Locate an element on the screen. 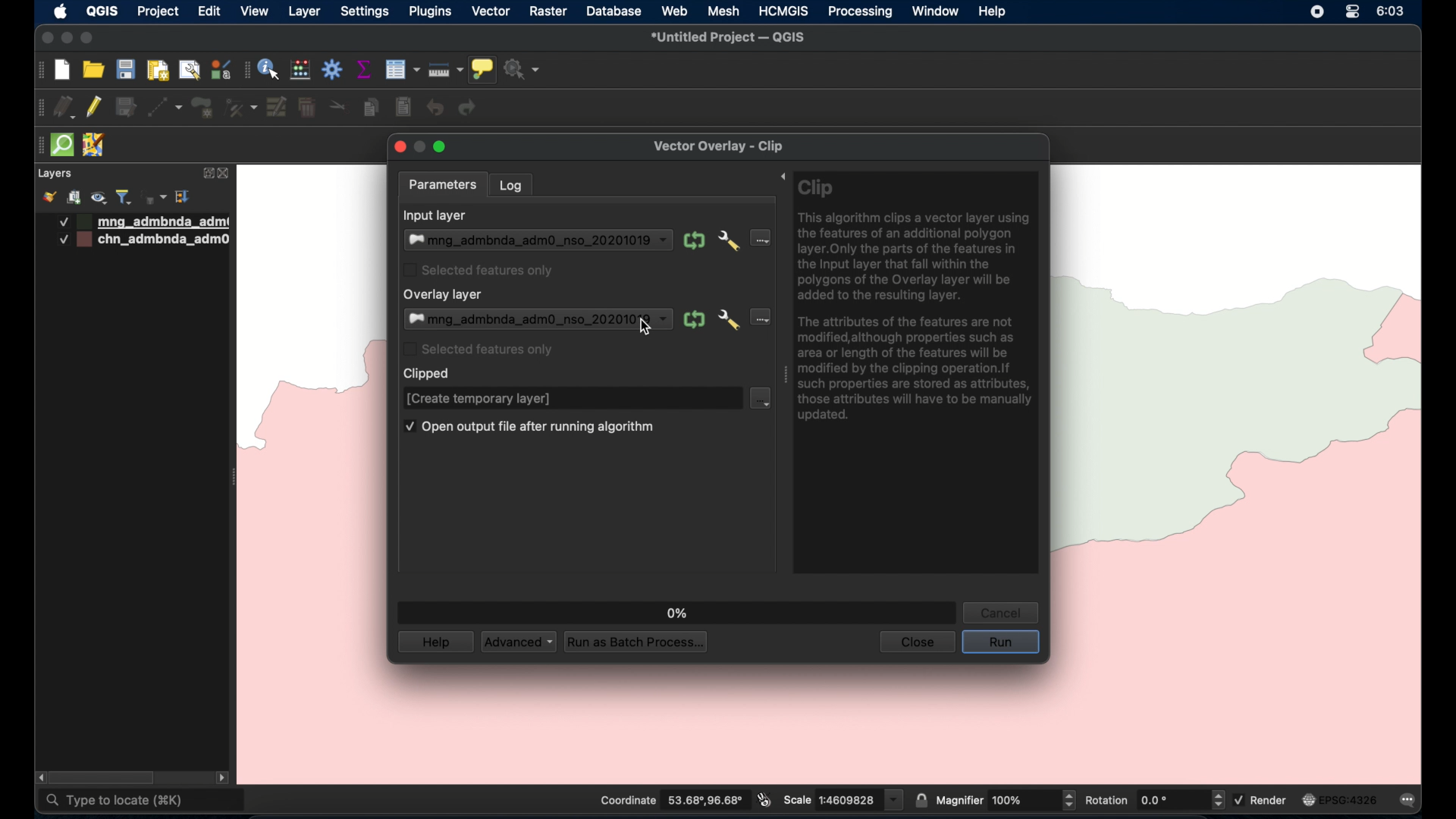 This screenshot has height=819, width=1456. run as batch process is located at coordinates (633, 641).